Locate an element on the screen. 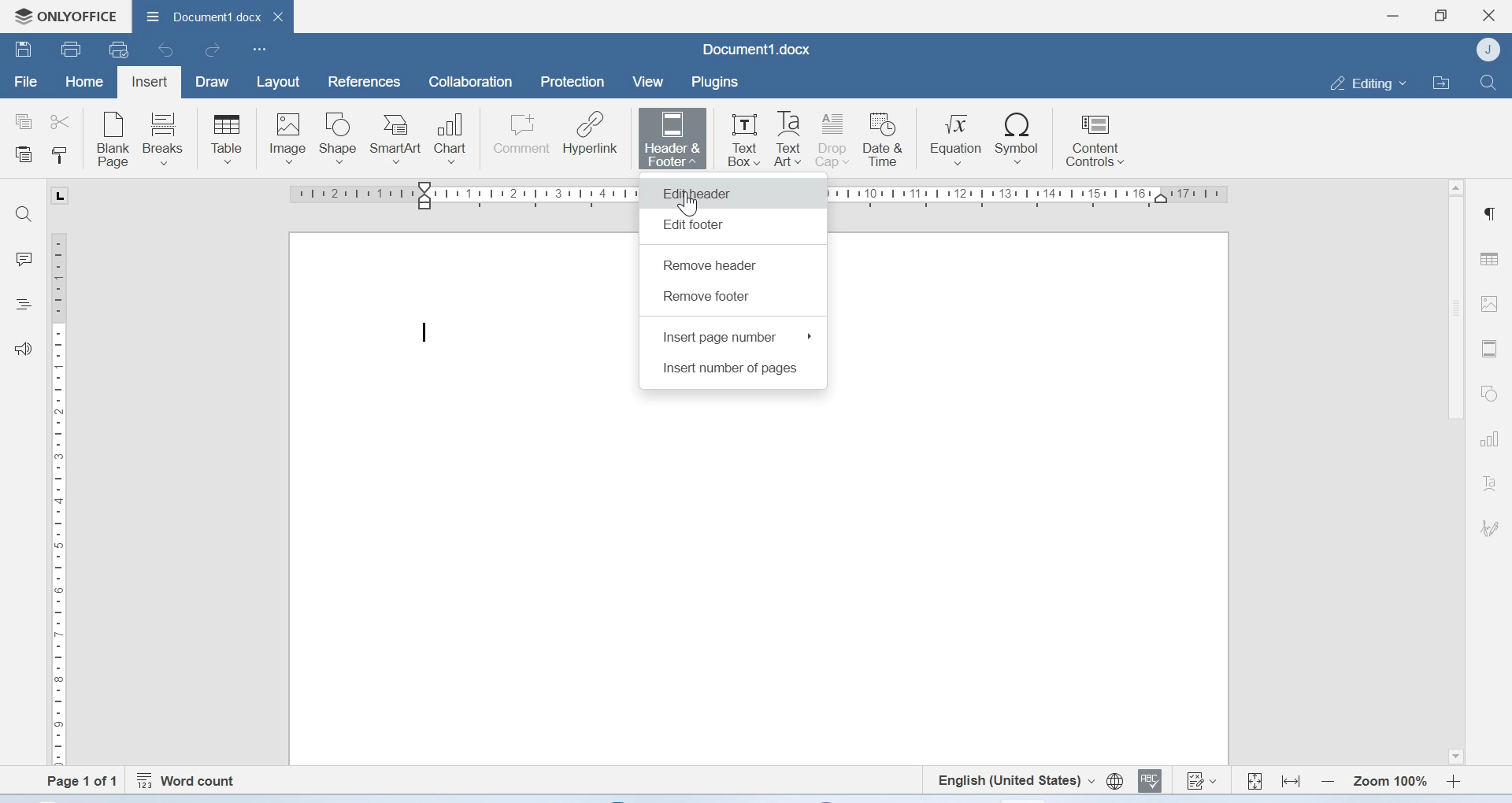  Scroll down is located at coordinates (1454, 757).